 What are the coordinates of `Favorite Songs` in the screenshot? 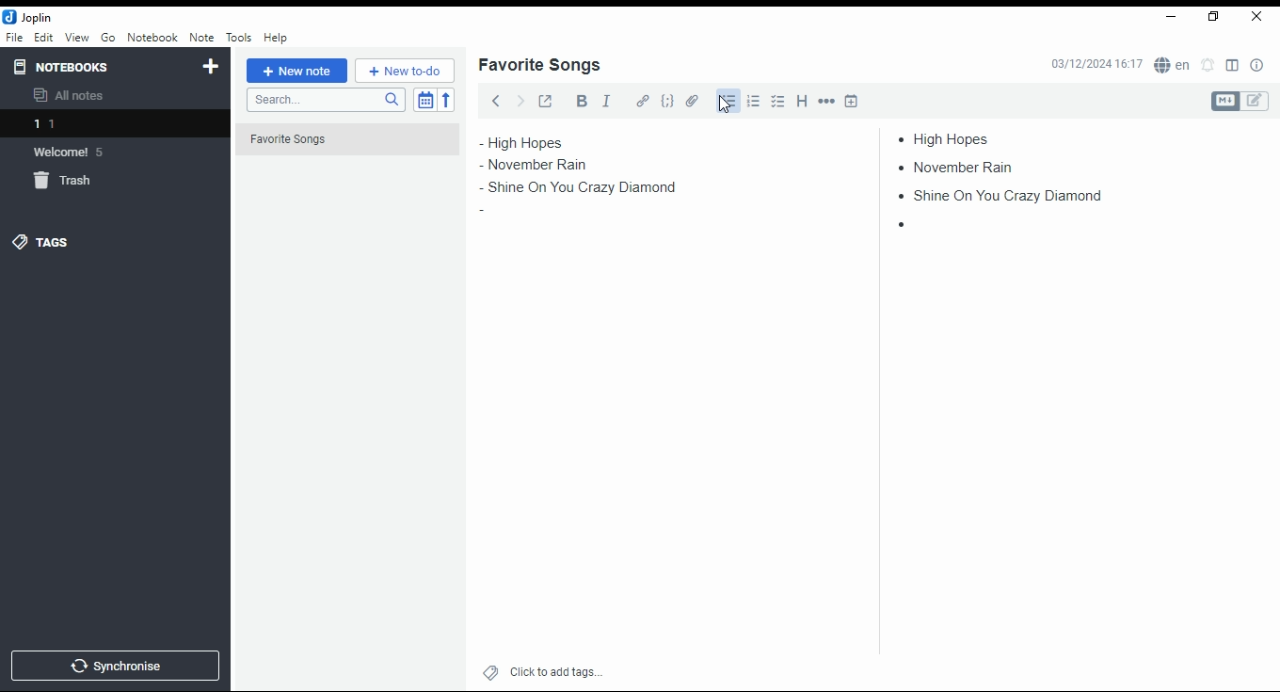 It's located at (337, 140).